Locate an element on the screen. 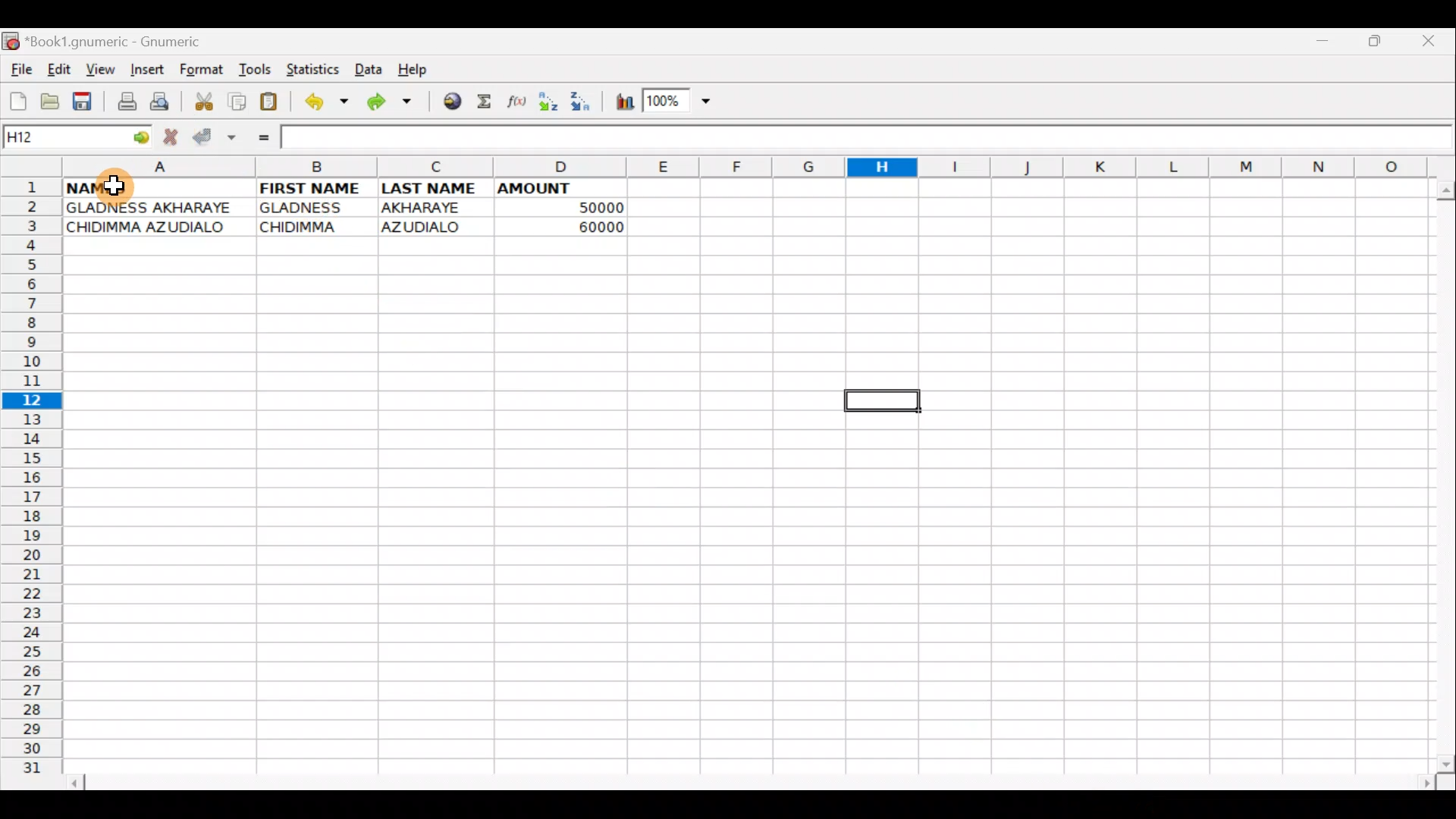 This screenshot has height=819, width=1456. Sort Descending order is located at coordinates (579, 101).